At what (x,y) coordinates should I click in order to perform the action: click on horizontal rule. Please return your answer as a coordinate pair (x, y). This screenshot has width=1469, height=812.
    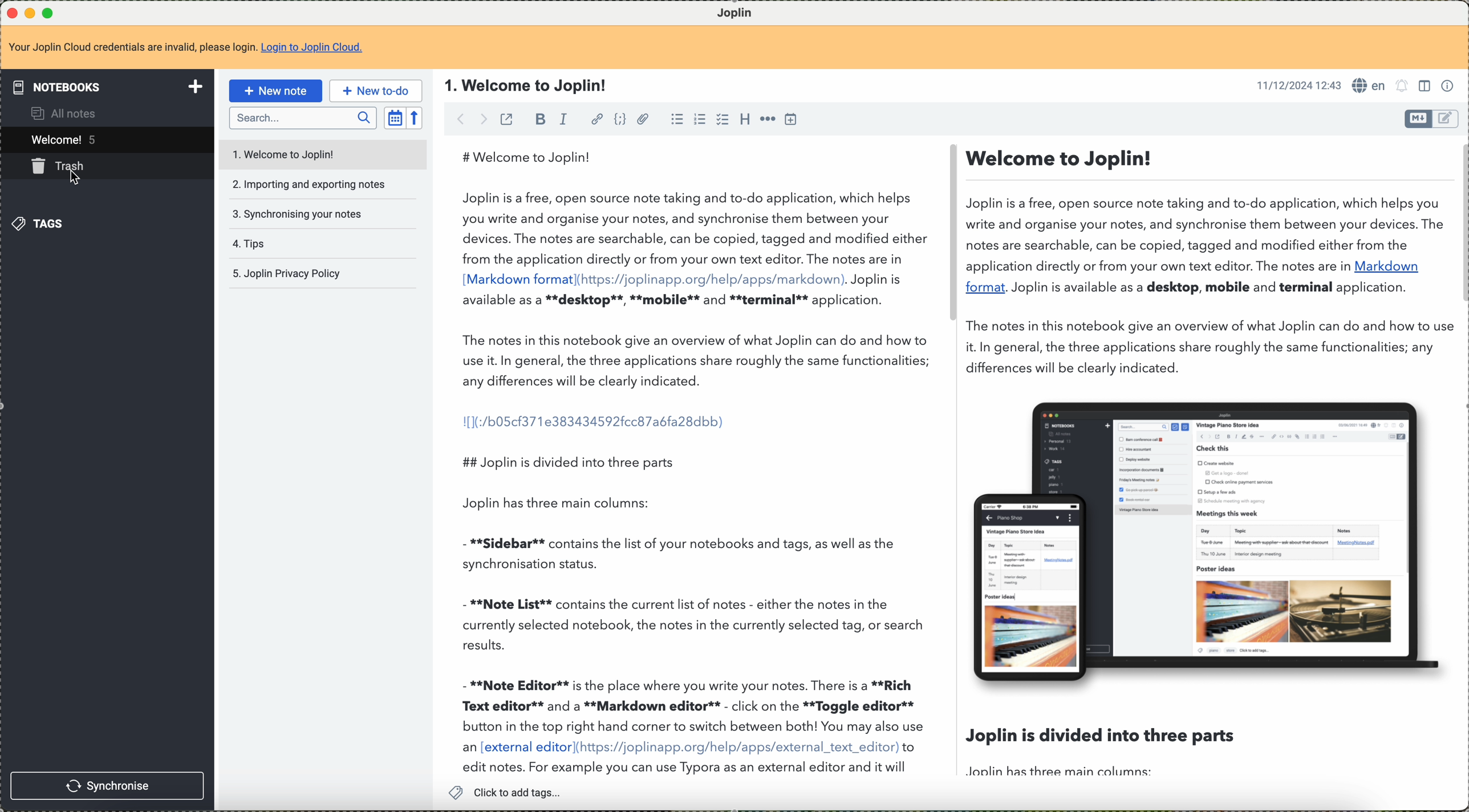
    Looking at the image, I should click on (768, 120).